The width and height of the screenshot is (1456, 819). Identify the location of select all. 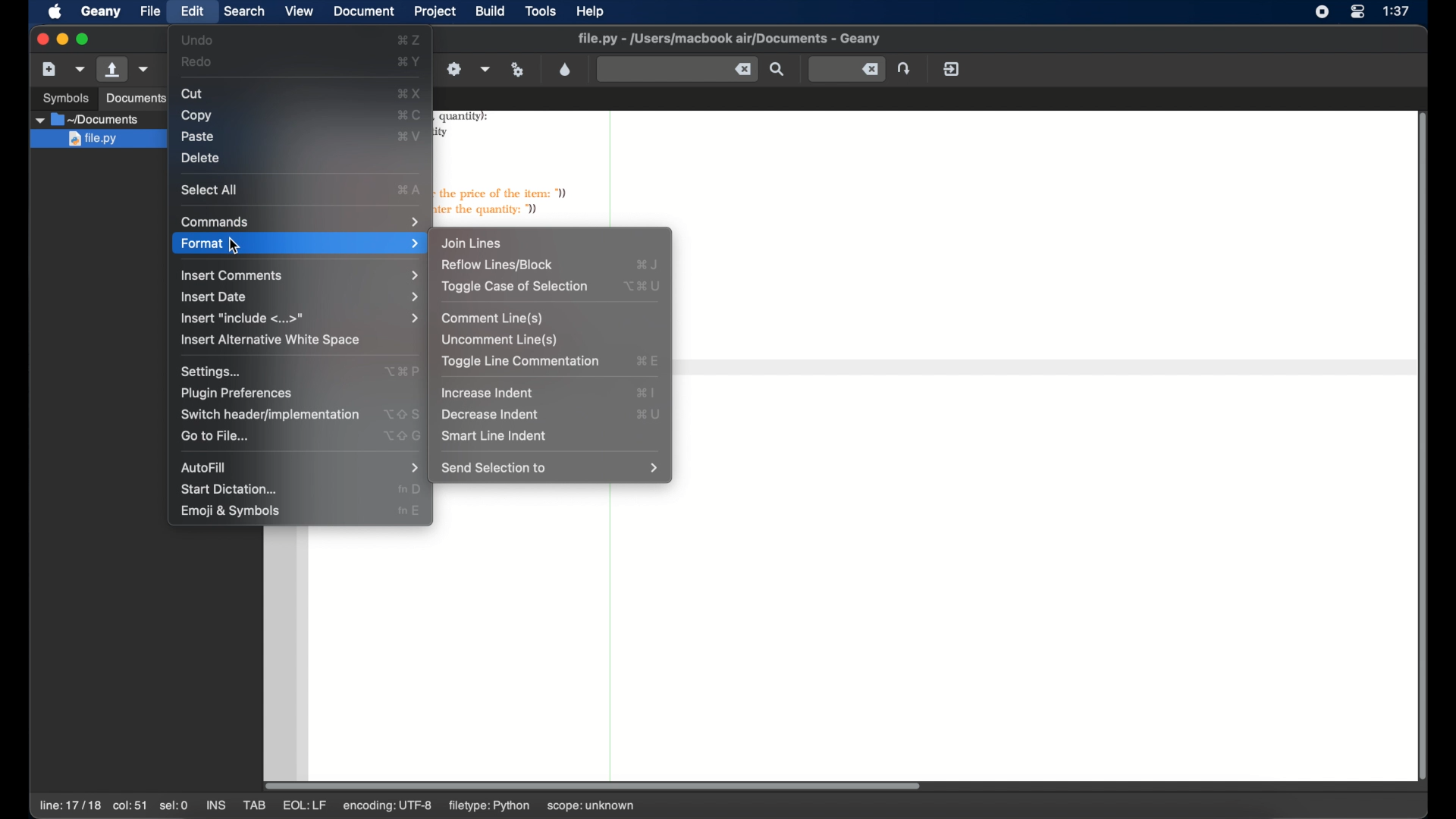
(209, 190).